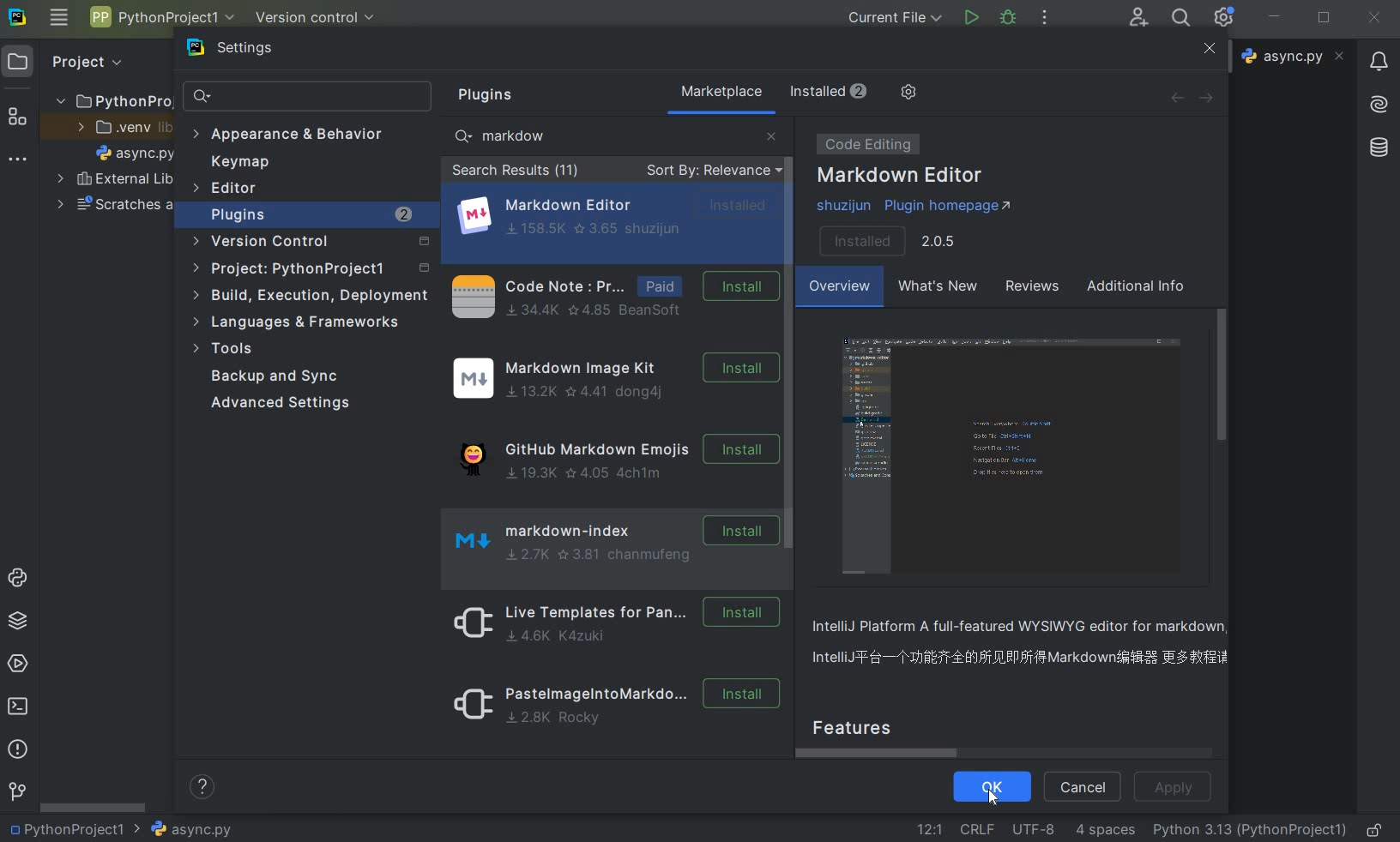 The height and width of the screenshot is (842, 1400). I want to click on file name, so click(190, 829).